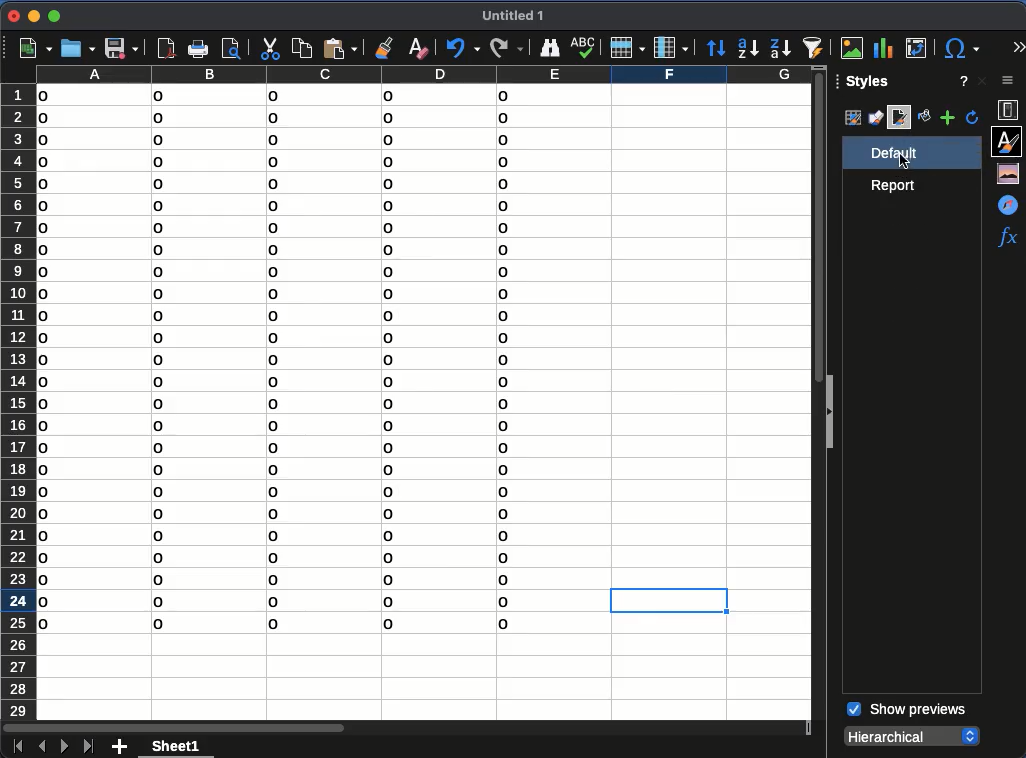 Image resolution: width=1026 pixels, height=758 pixels. I want to click on open, so click(77, 48).